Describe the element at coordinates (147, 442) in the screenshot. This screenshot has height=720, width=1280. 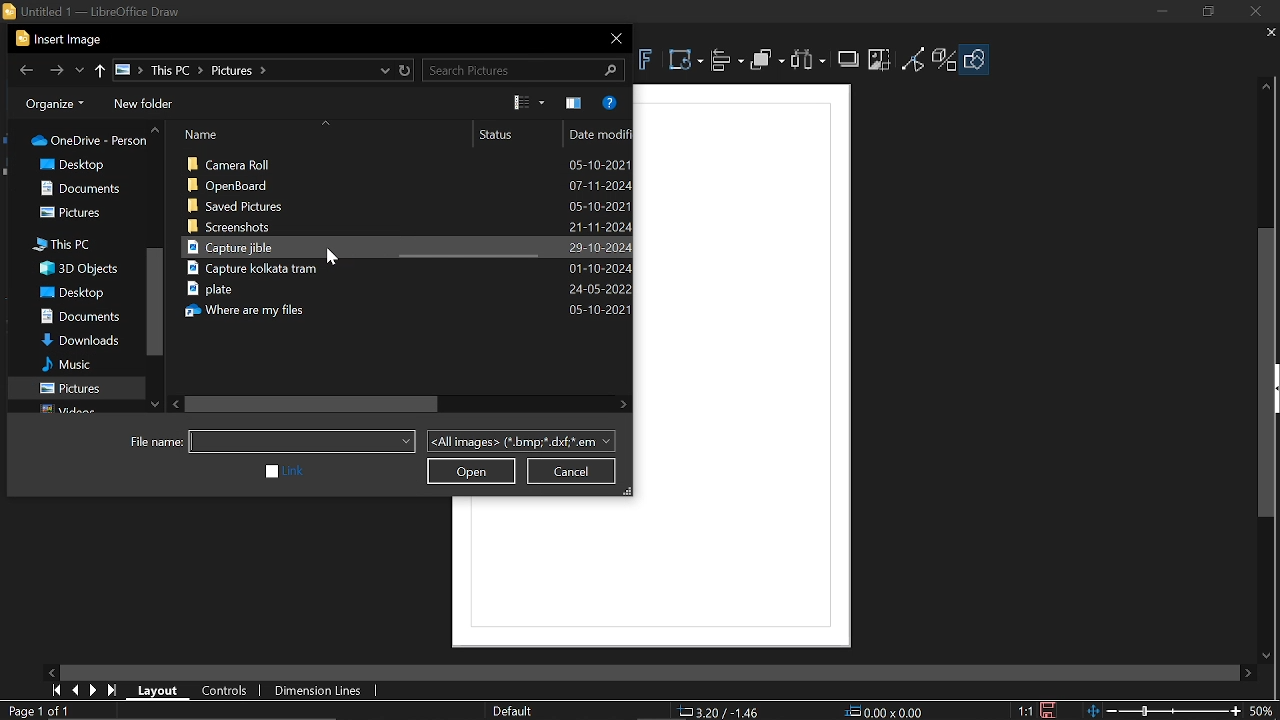
I see `File name:` at that location.